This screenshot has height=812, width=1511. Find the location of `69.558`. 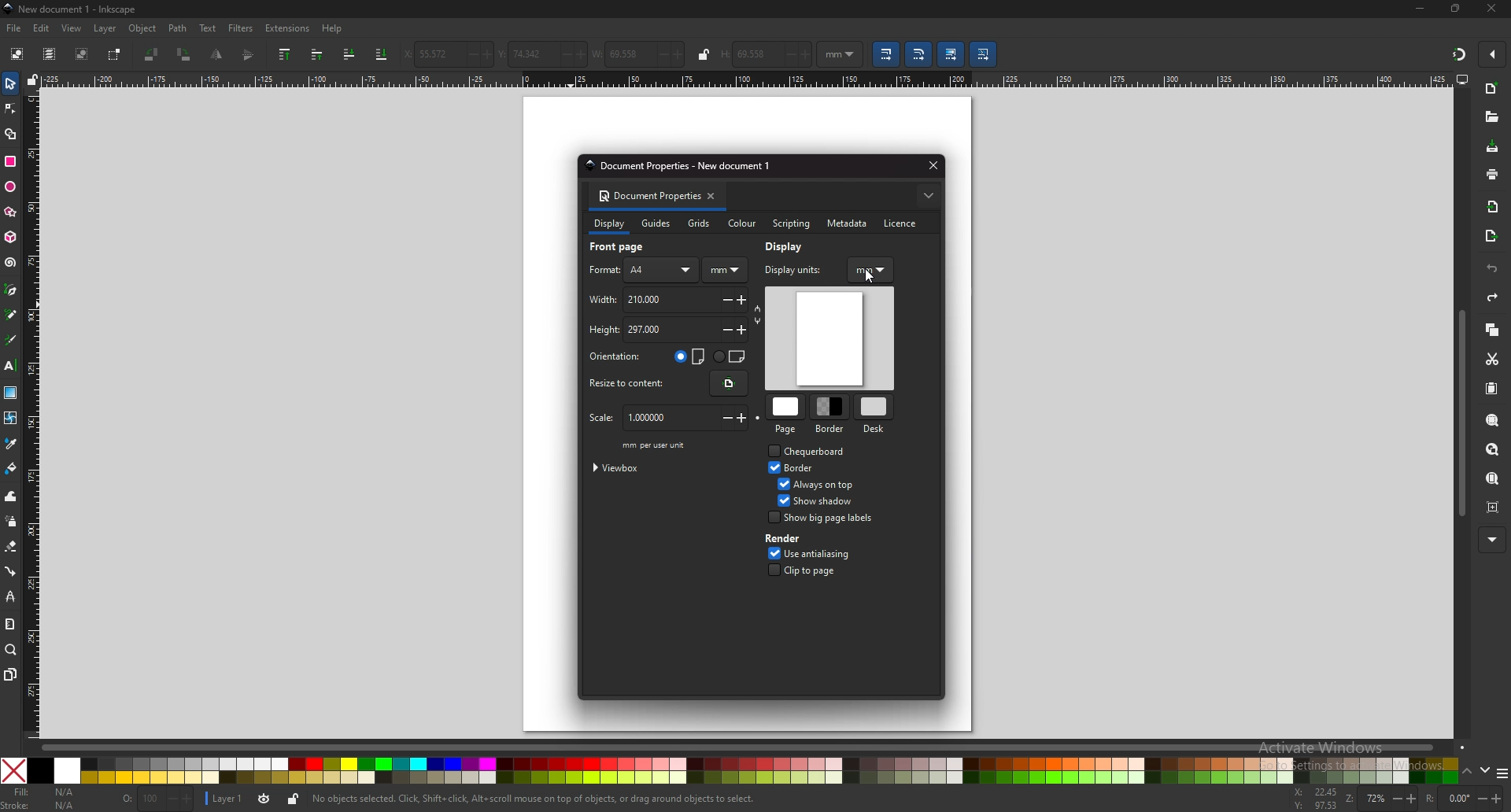

69.558 is located at coordinates (755, 55).